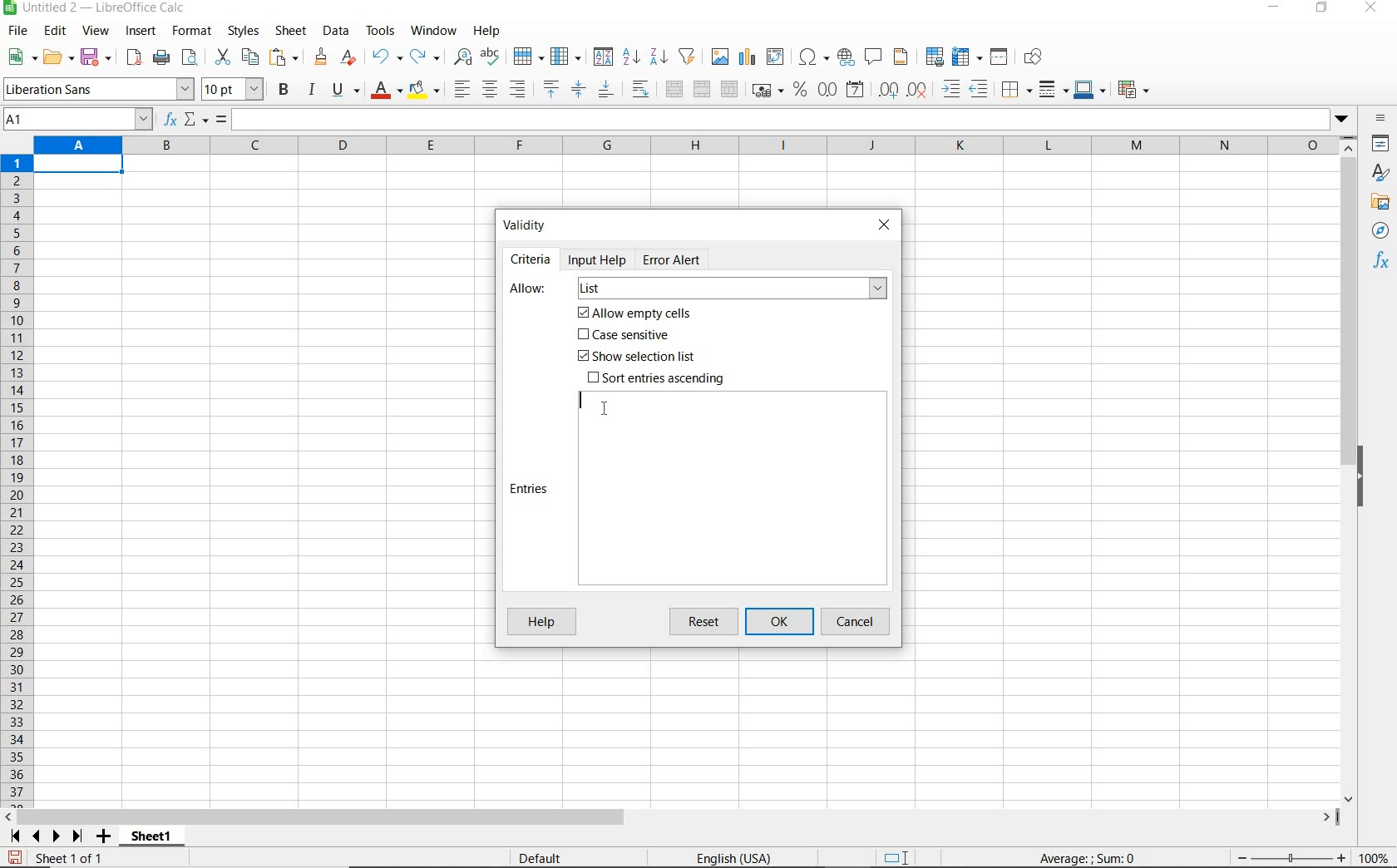  Describe the element at coordinates (42, 836) in the screenshot. I see `scroll next` at that location.